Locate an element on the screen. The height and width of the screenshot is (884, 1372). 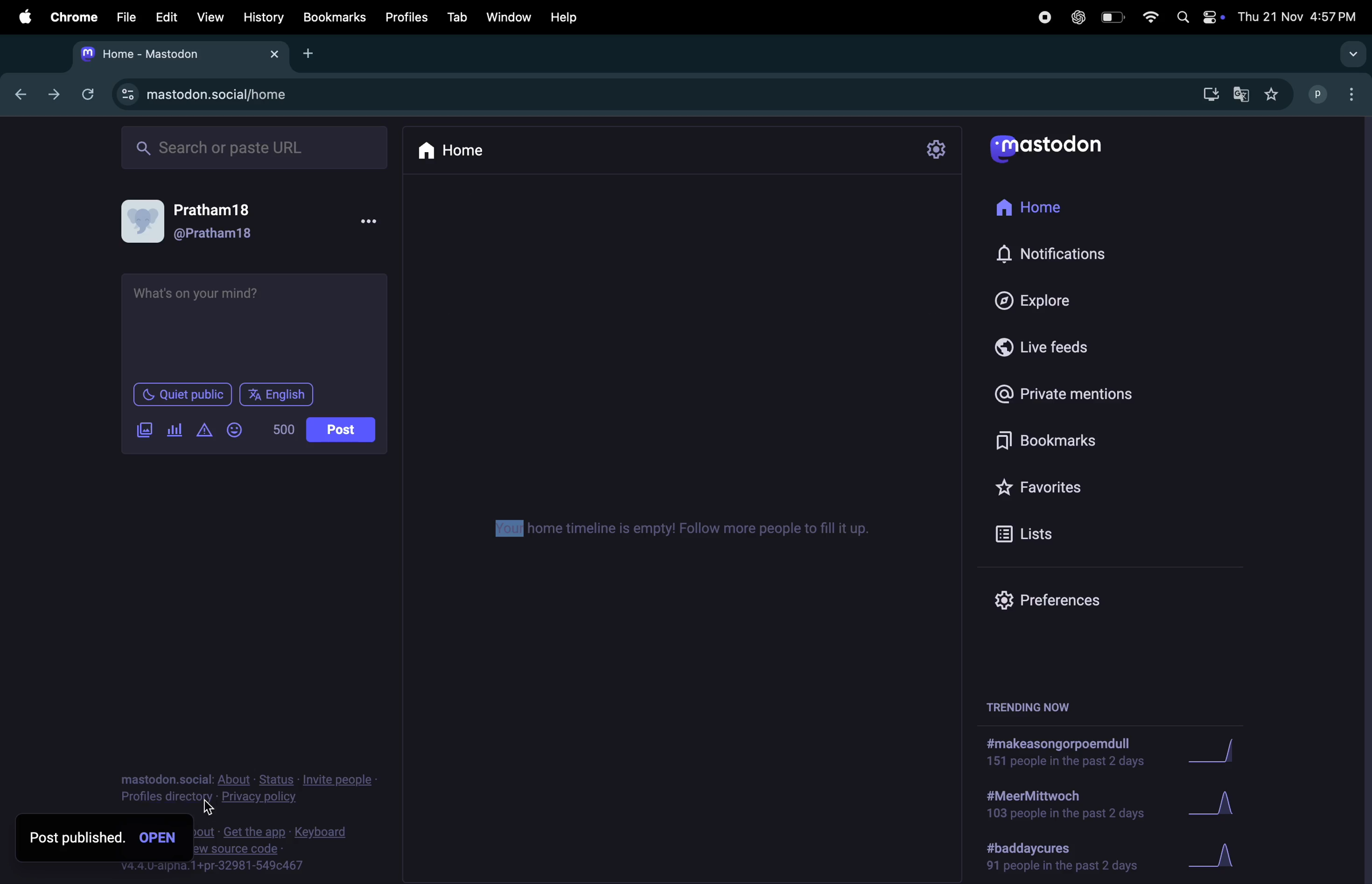
chrome is located at coordinates (70, 17).